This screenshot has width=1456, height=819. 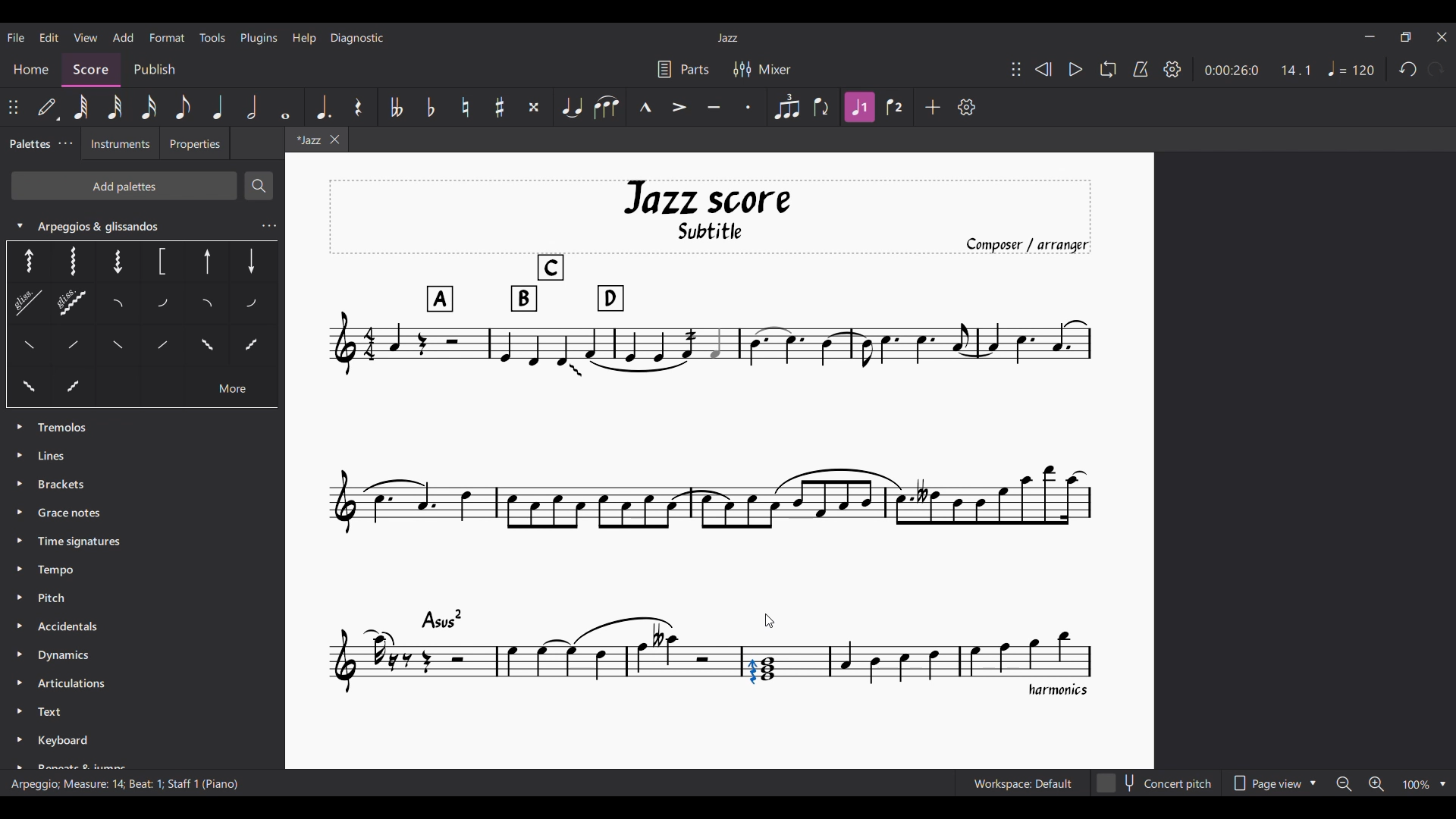 I want to click on , so click(x=254, y=347).